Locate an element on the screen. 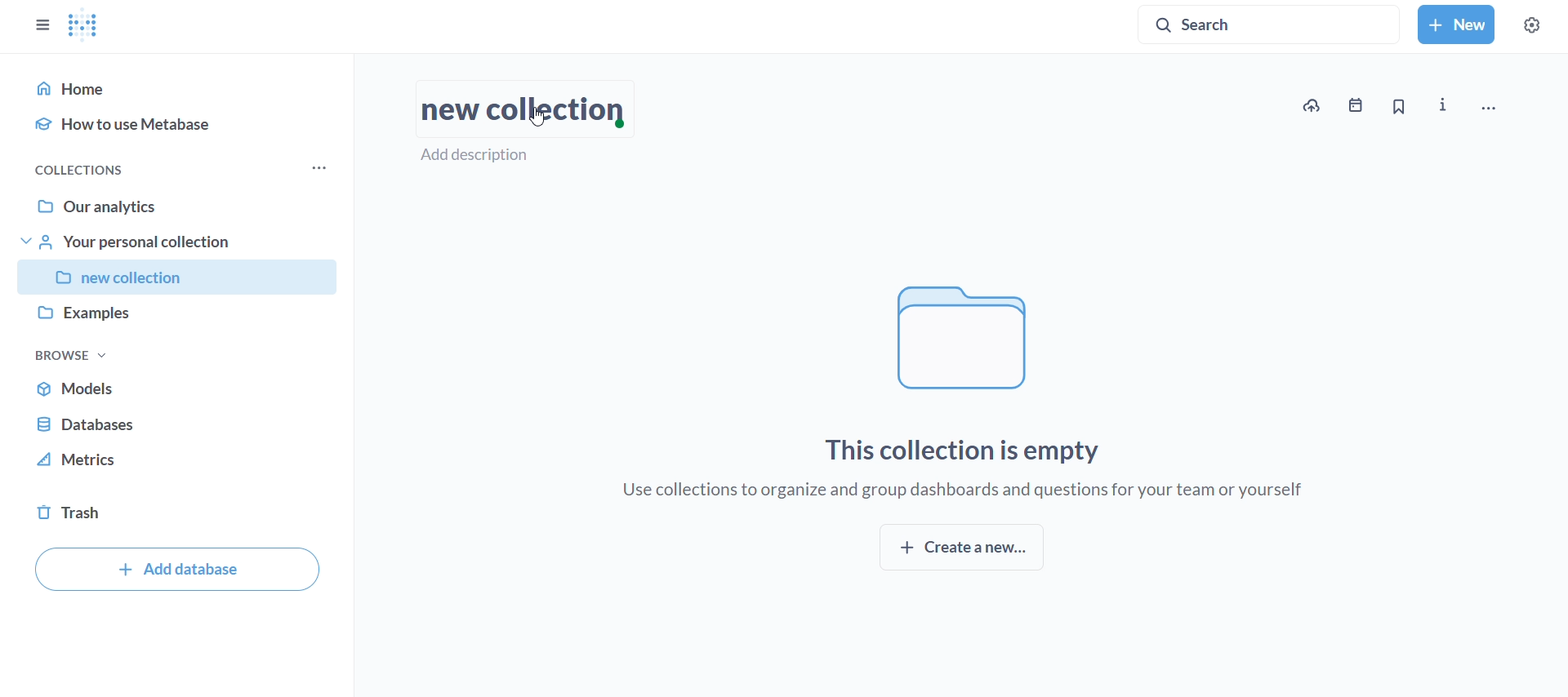 This screenshot has height=697, width=1568. browse is located at coordinates (71, 355).